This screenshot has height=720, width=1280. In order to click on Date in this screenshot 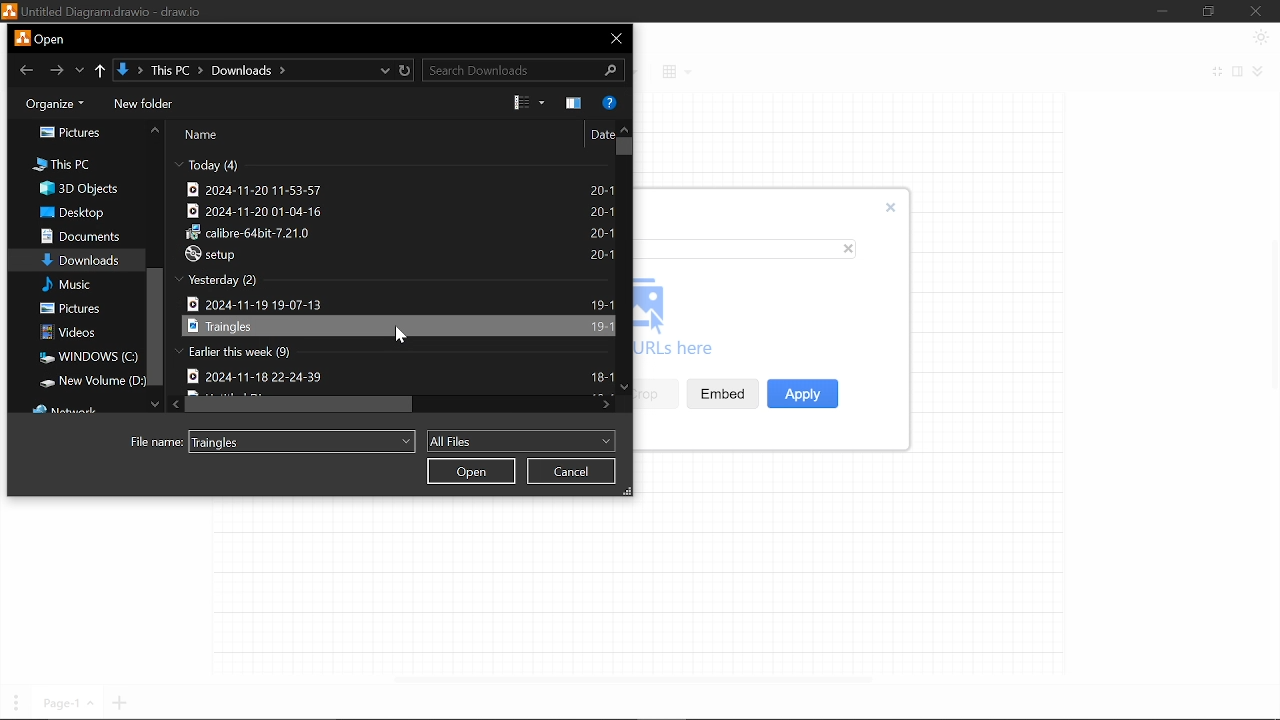, I will do `click(599, 136)`.